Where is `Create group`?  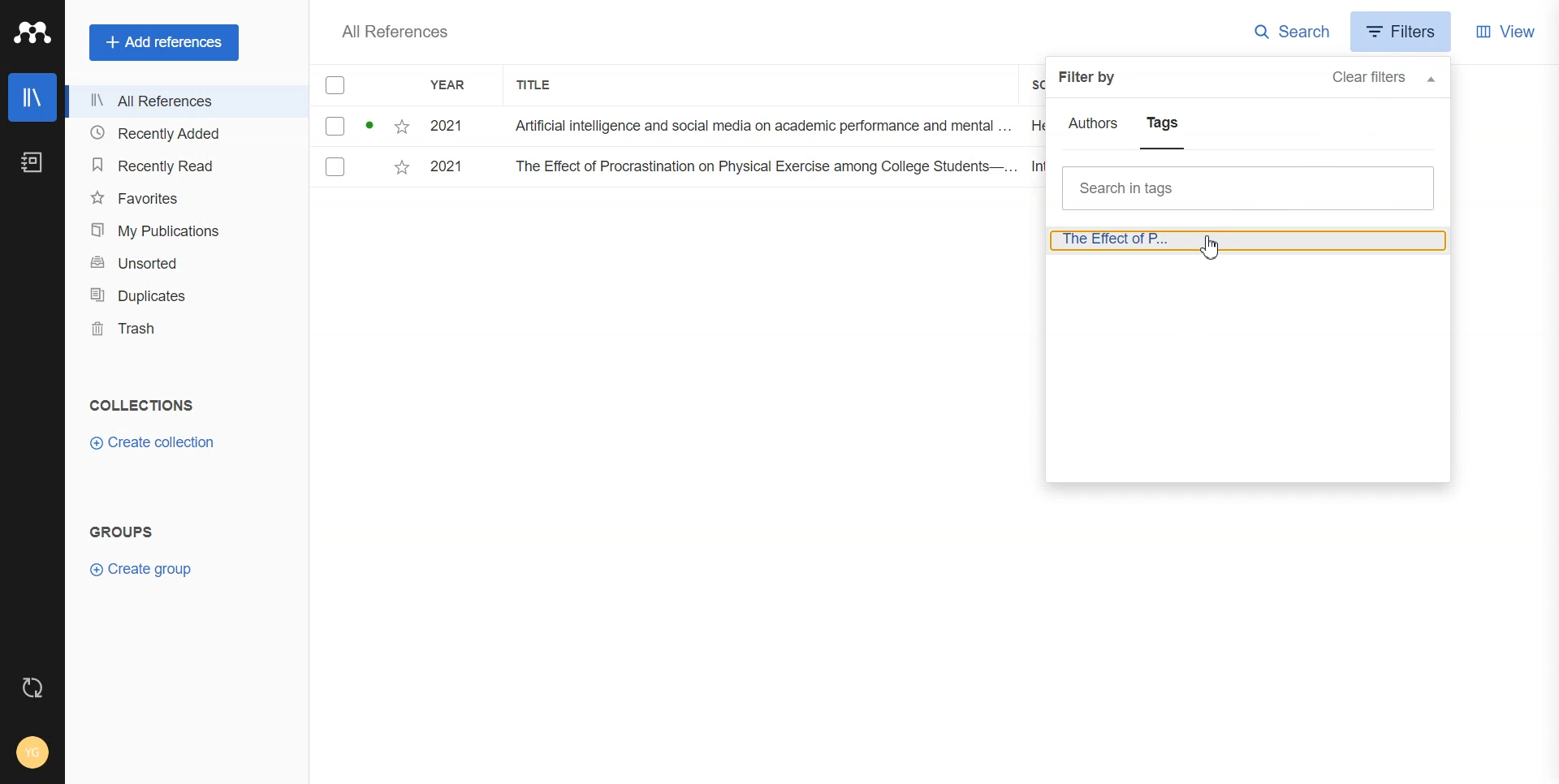 Create group is located at coordinates (145, 568).